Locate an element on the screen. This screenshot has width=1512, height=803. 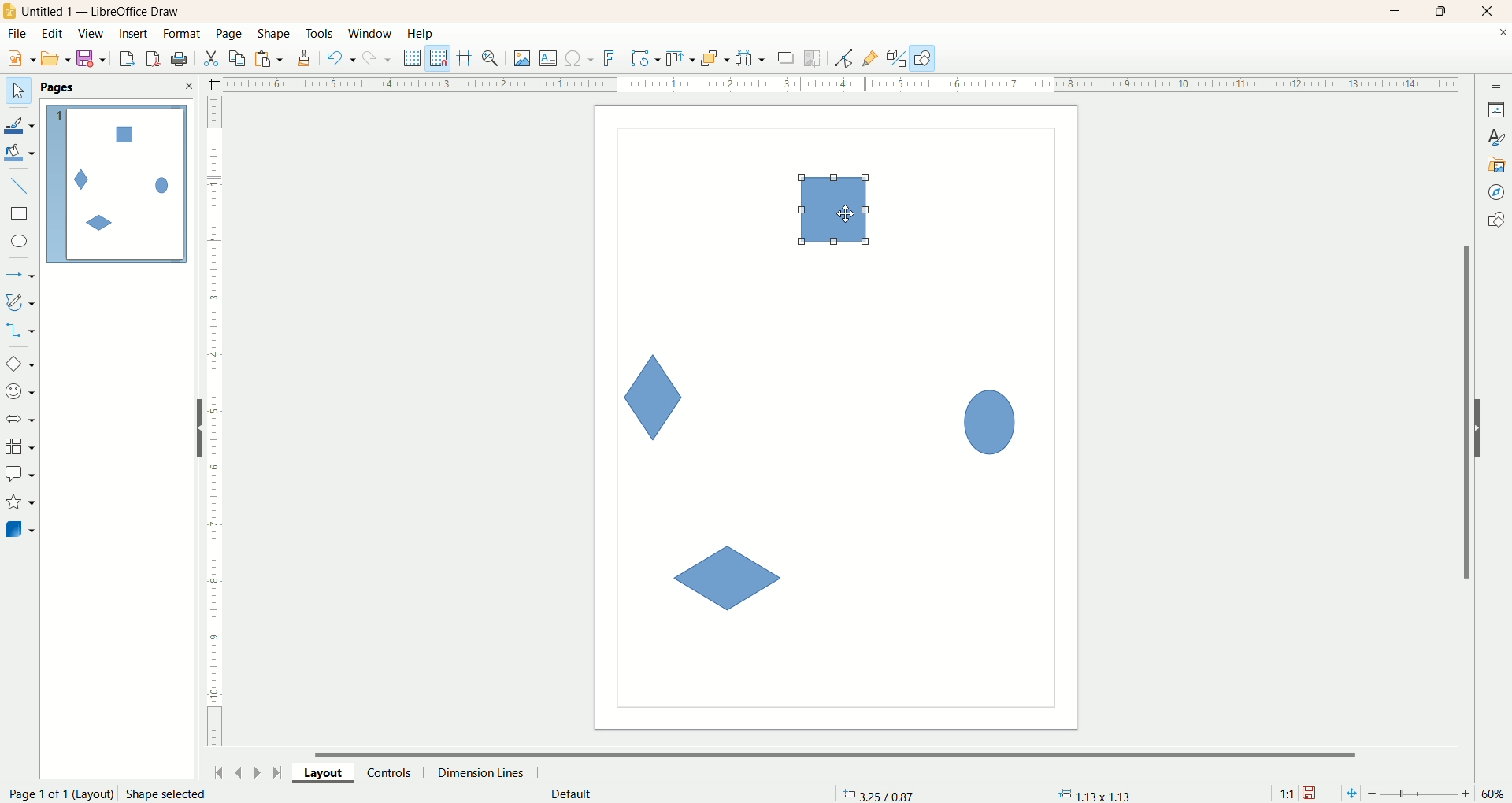
clone formatting is located at coordinates (305, 56).